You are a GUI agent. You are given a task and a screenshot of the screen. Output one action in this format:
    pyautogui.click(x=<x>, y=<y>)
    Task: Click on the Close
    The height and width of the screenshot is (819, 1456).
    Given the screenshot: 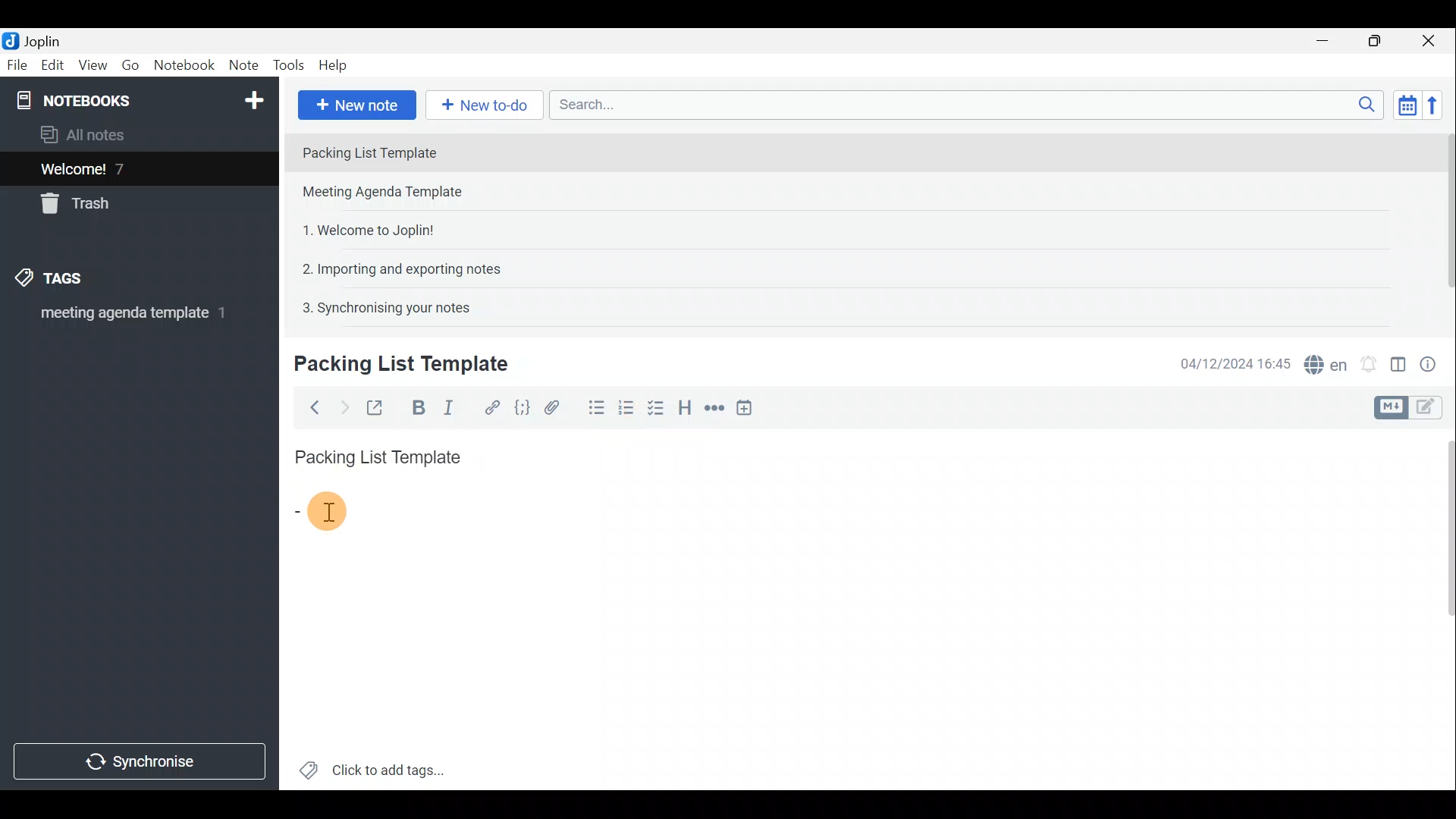 What is the action you would take?
    pyautogui.click(x=1433, y=40)
    